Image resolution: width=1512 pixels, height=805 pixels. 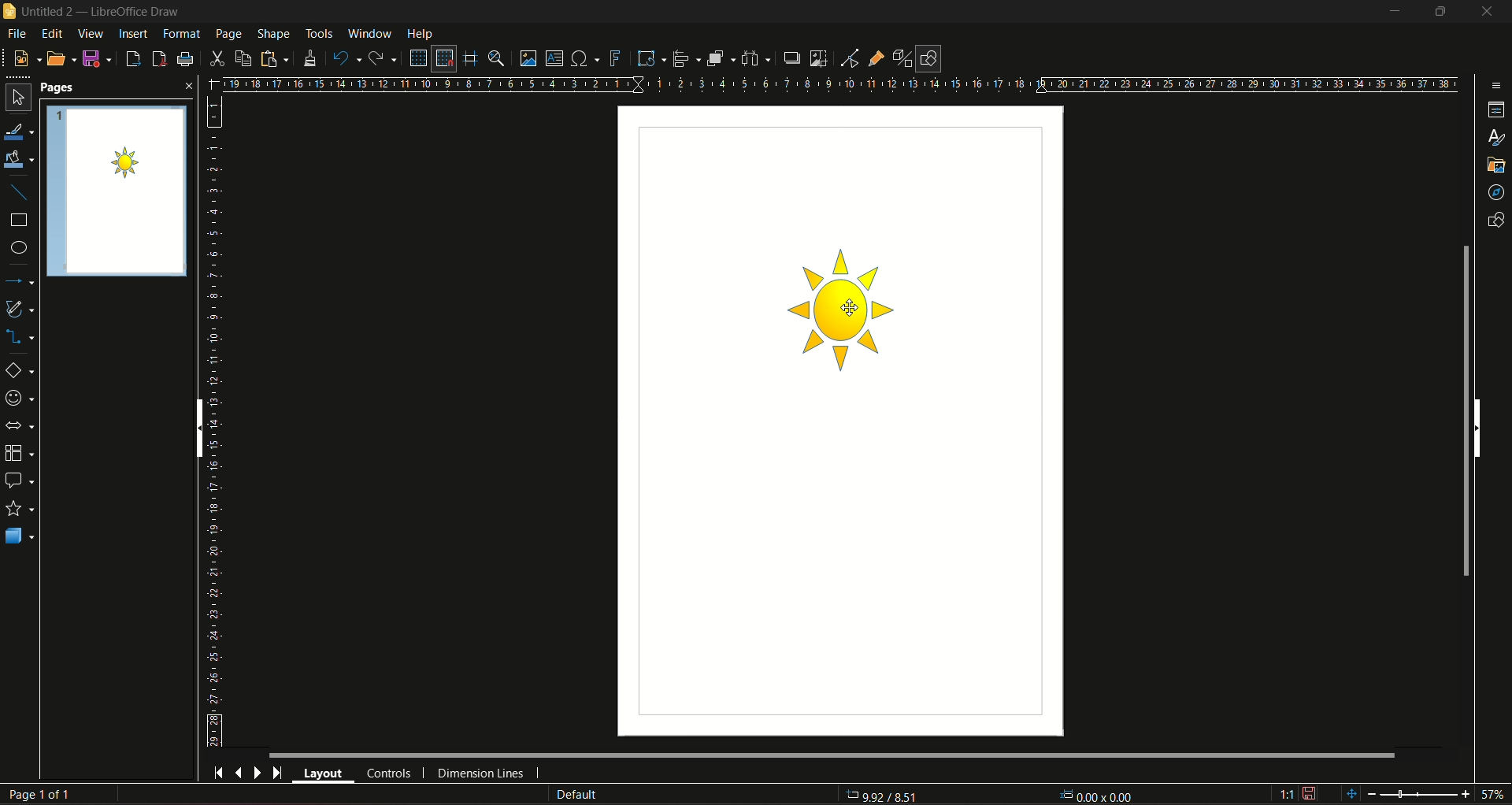 What do you see at coordinates (258, 773) in the screenshot?
I see `next` at bounding box center [258, 773].